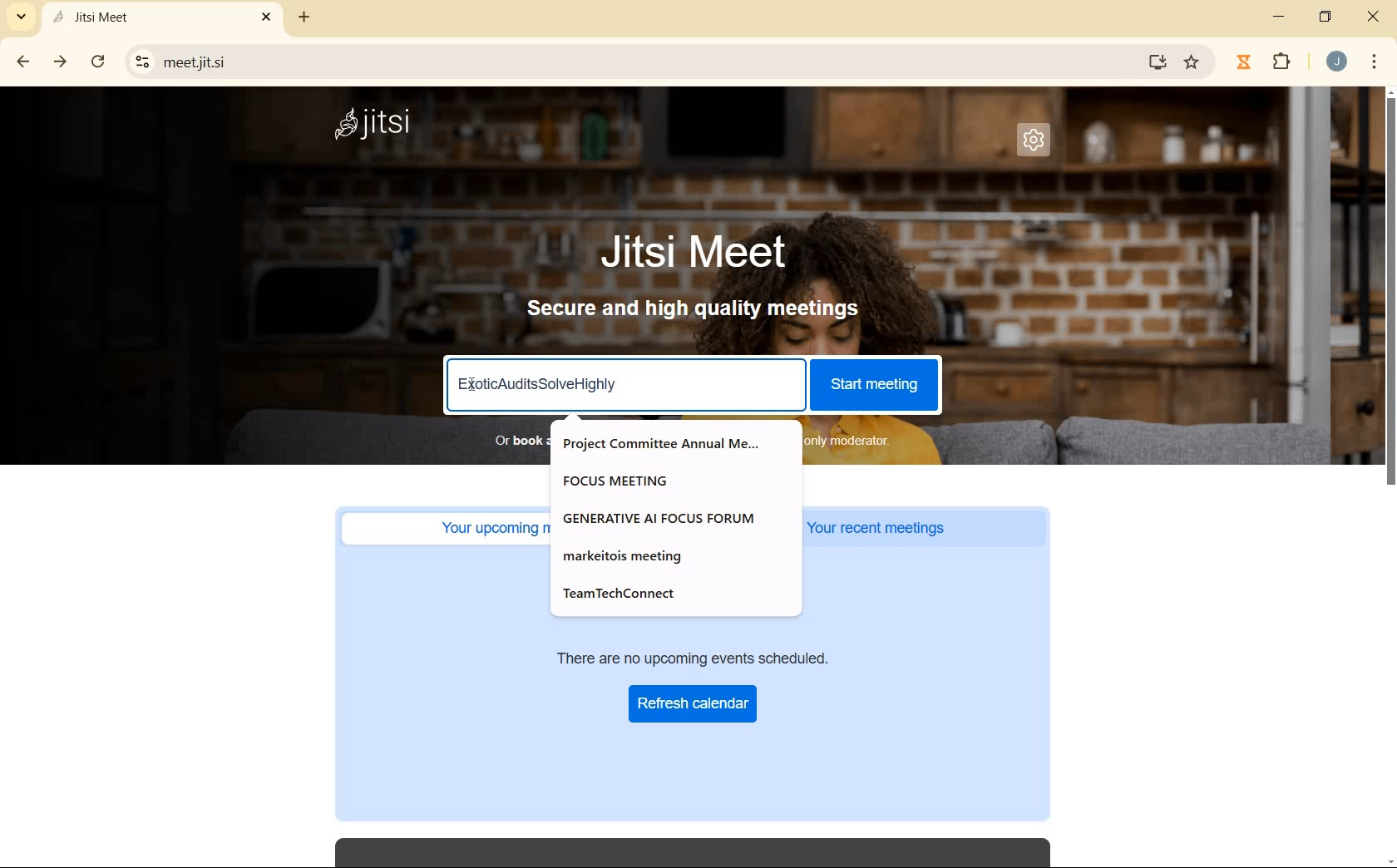  Describe the element at coordinates (705, 311) in the screenshot. I see `secure and high quality meetings` at that location.